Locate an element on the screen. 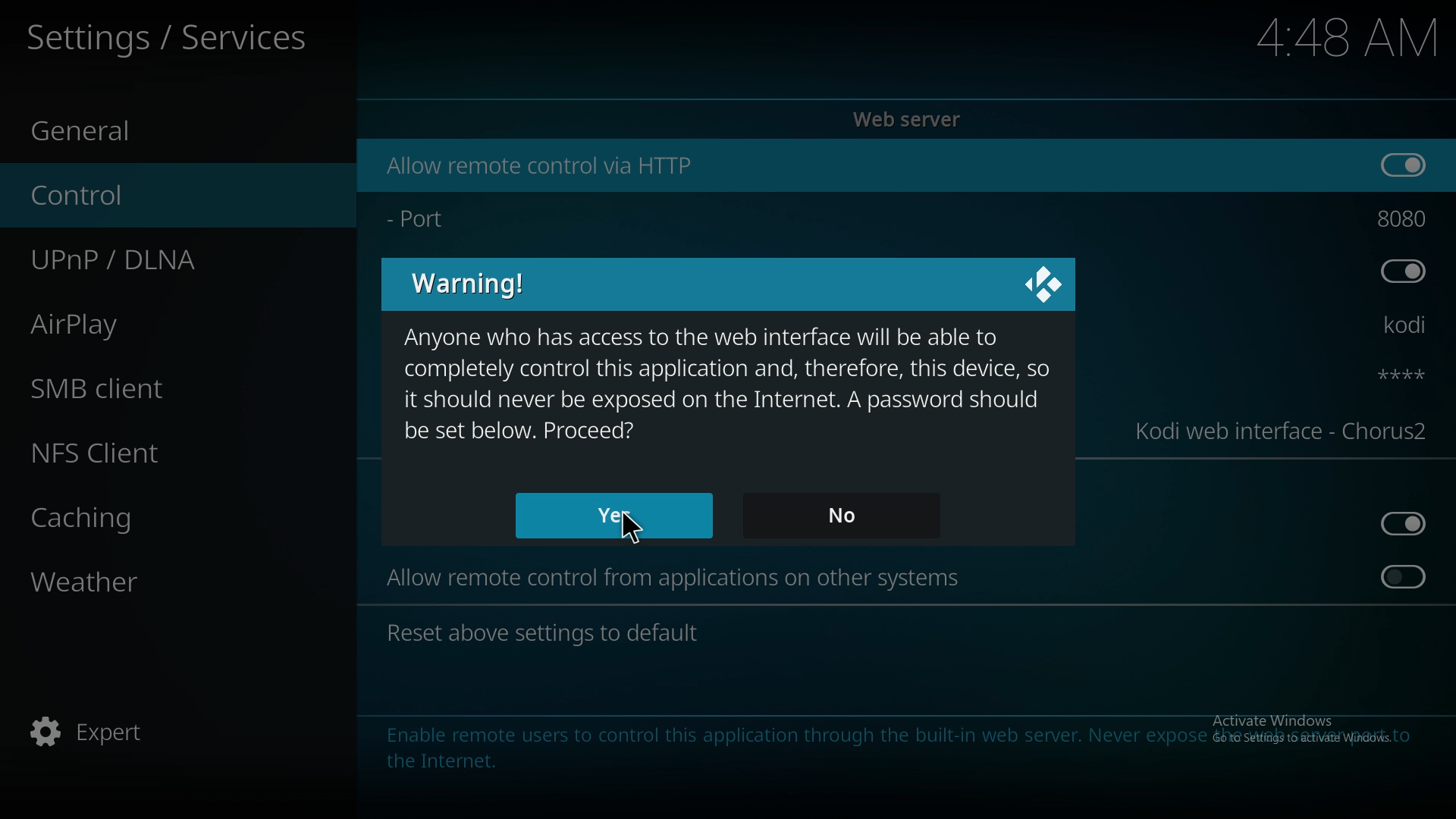  port is located at coordinates (452, 222).